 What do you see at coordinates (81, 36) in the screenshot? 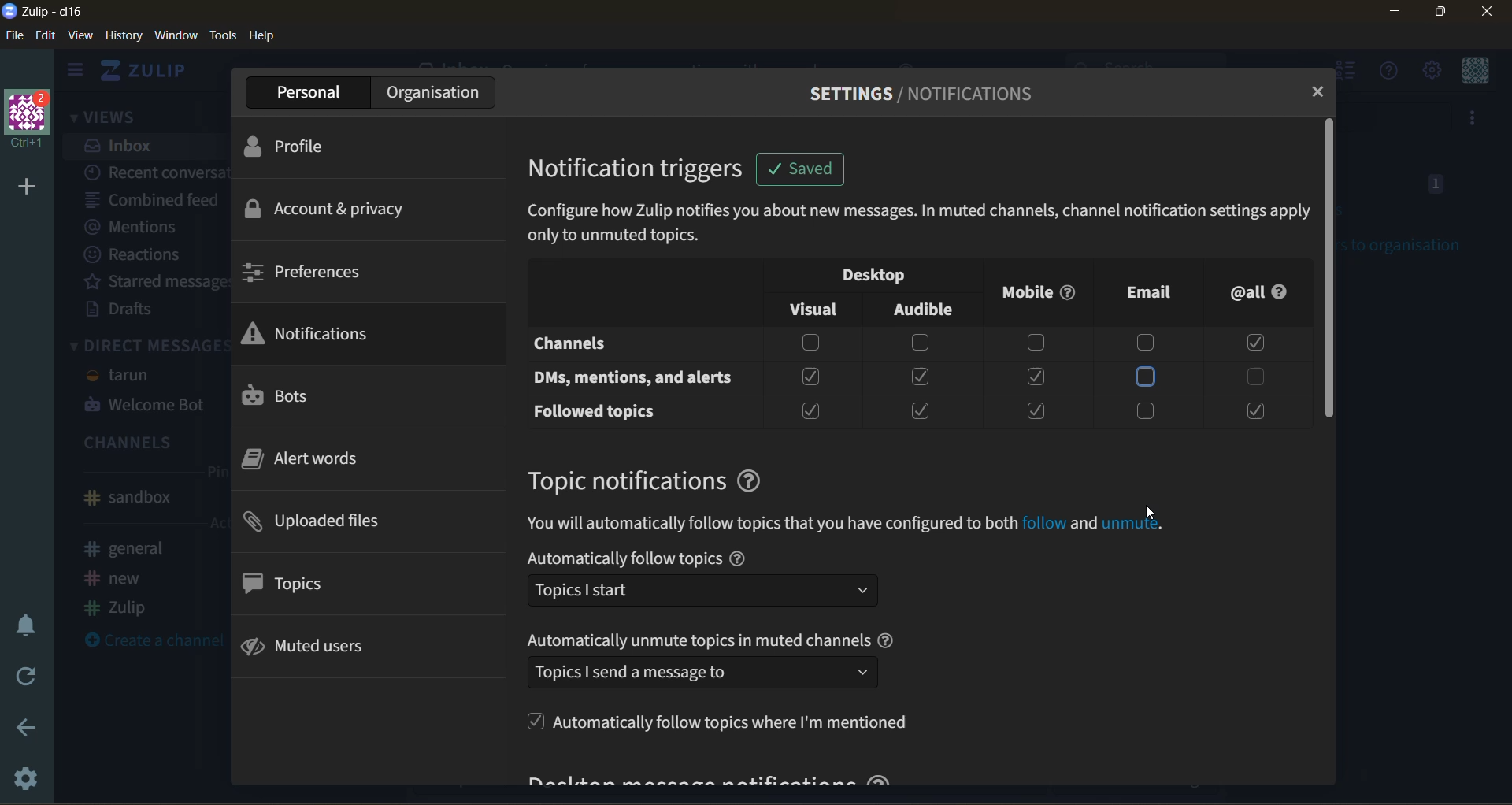
I see `view` at bounding box center [81, 36].